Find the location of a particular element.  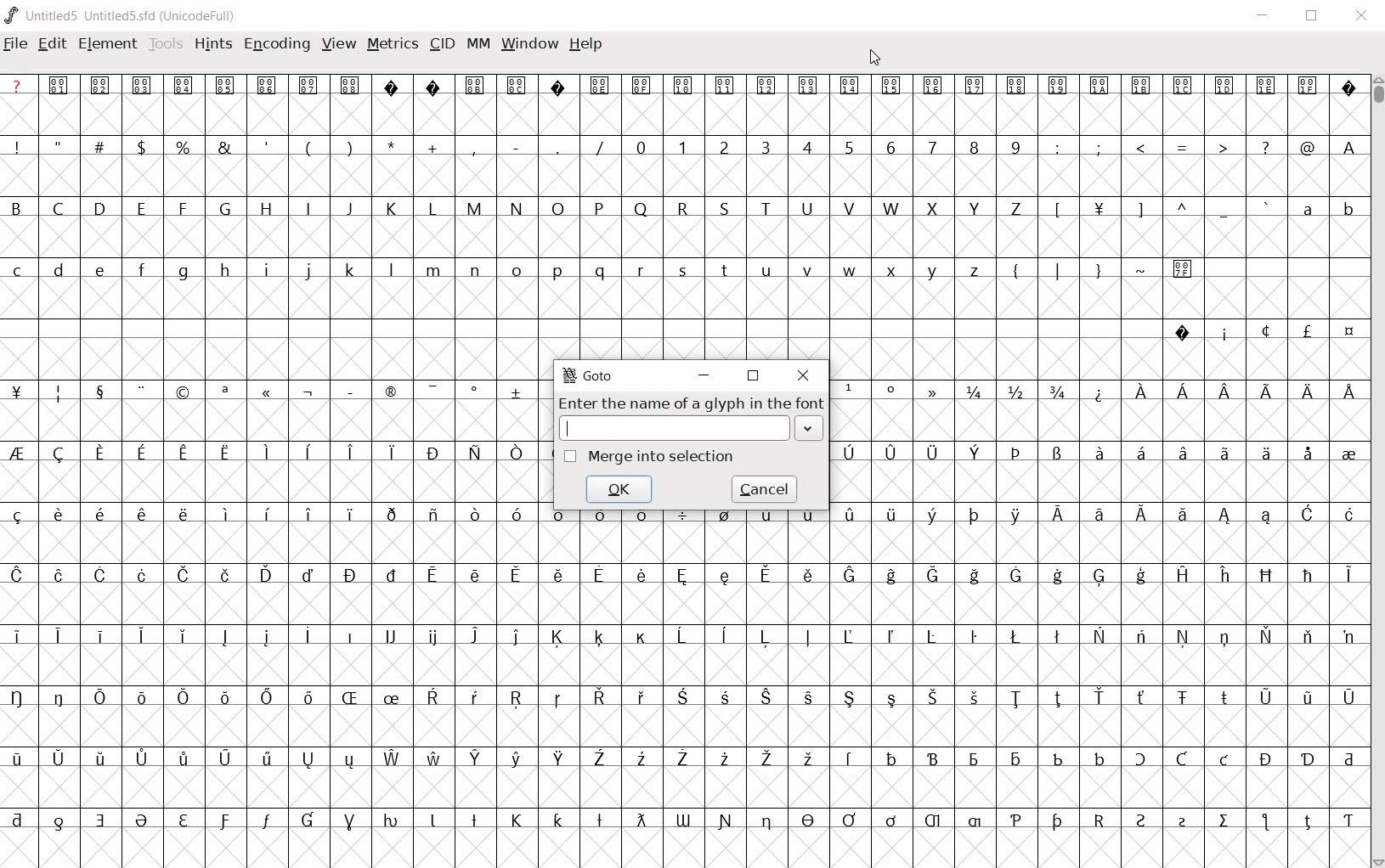

W is located at coordinates (891, 206).